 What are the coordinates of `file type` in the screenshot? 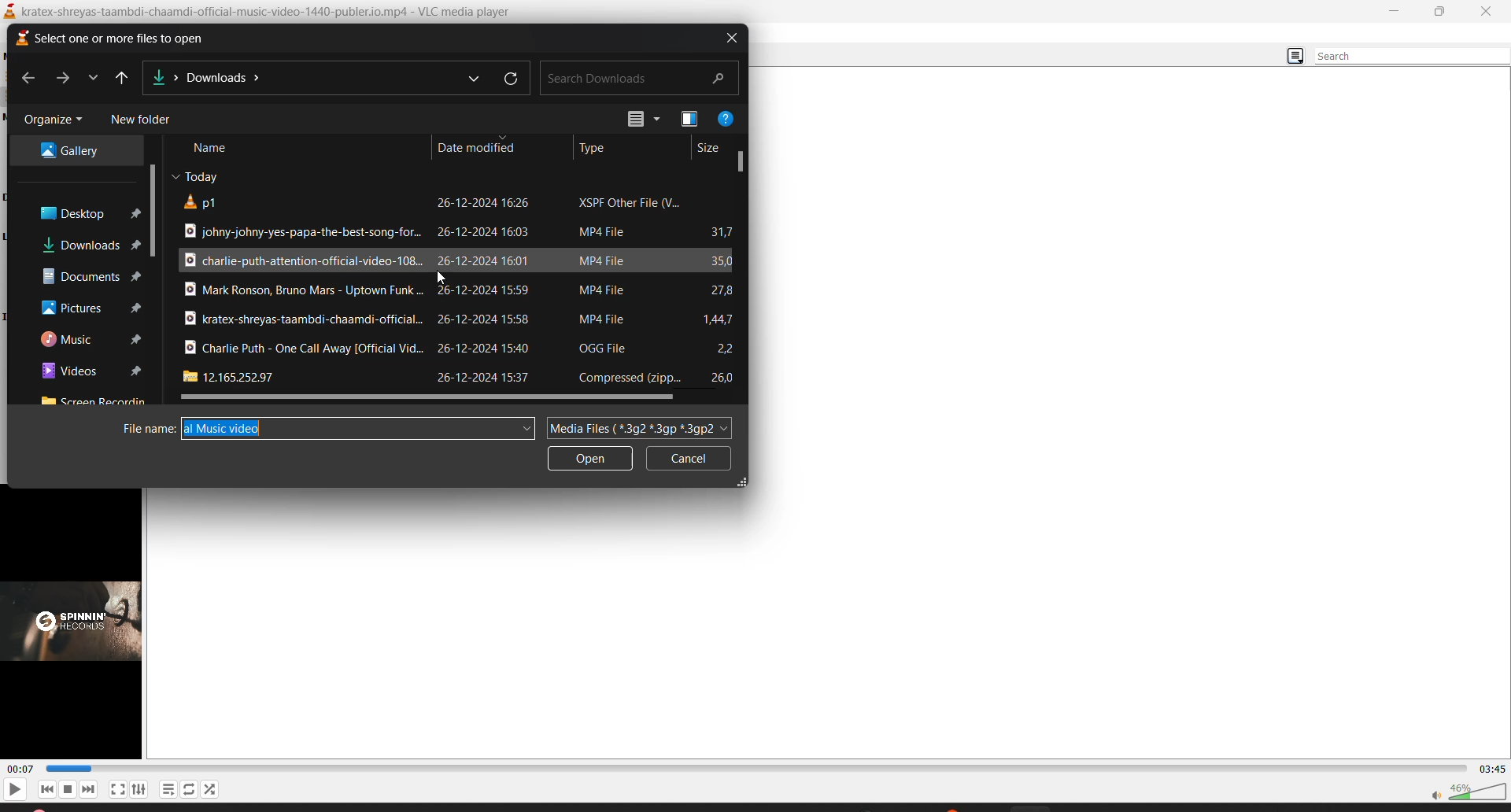 It's located at (640, 430).